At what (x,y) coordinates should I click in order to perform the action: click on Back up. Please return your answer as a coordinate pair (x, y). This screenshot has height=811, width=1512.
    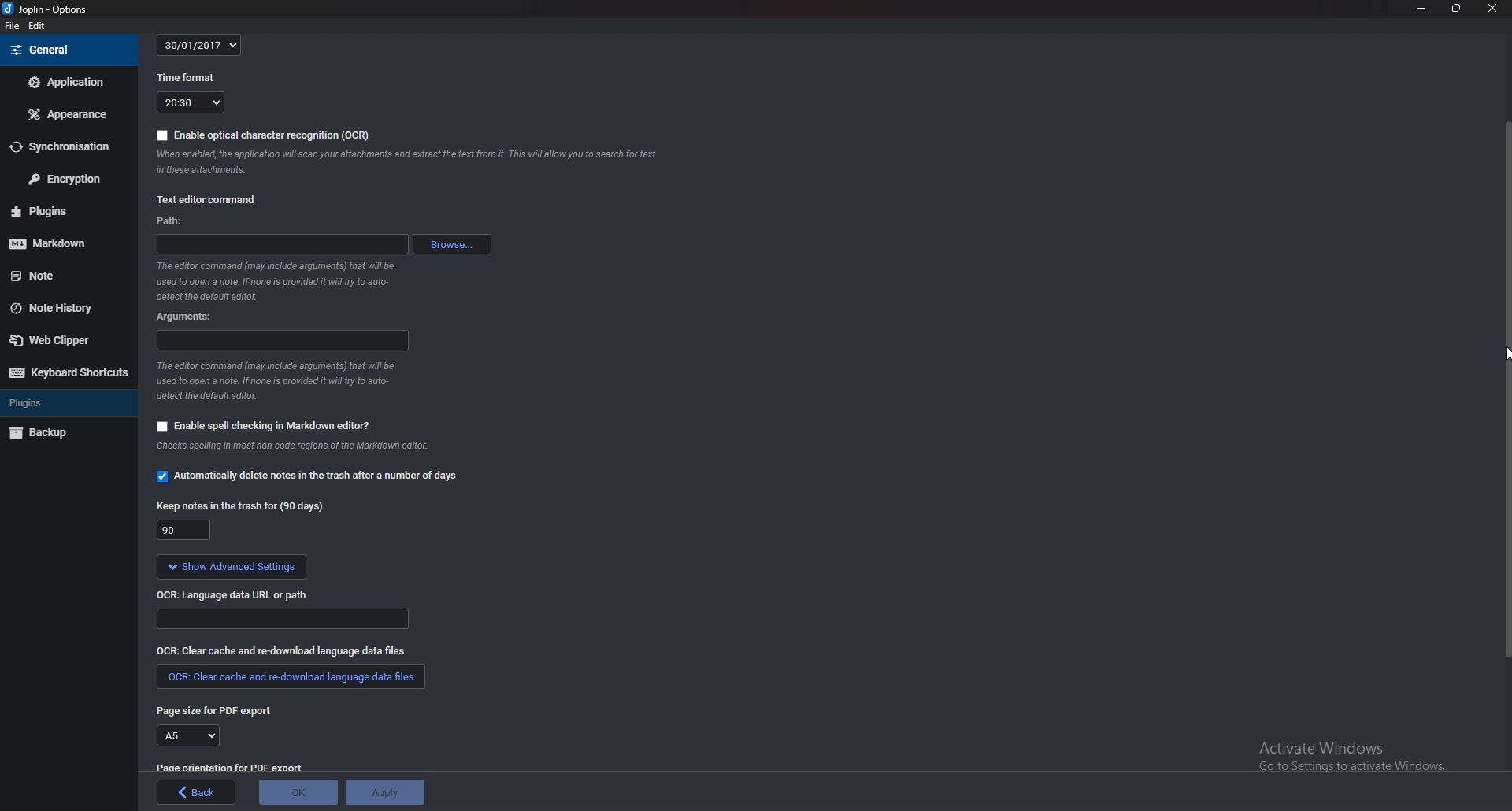
    Looking at the image, I should click on (57, 433).